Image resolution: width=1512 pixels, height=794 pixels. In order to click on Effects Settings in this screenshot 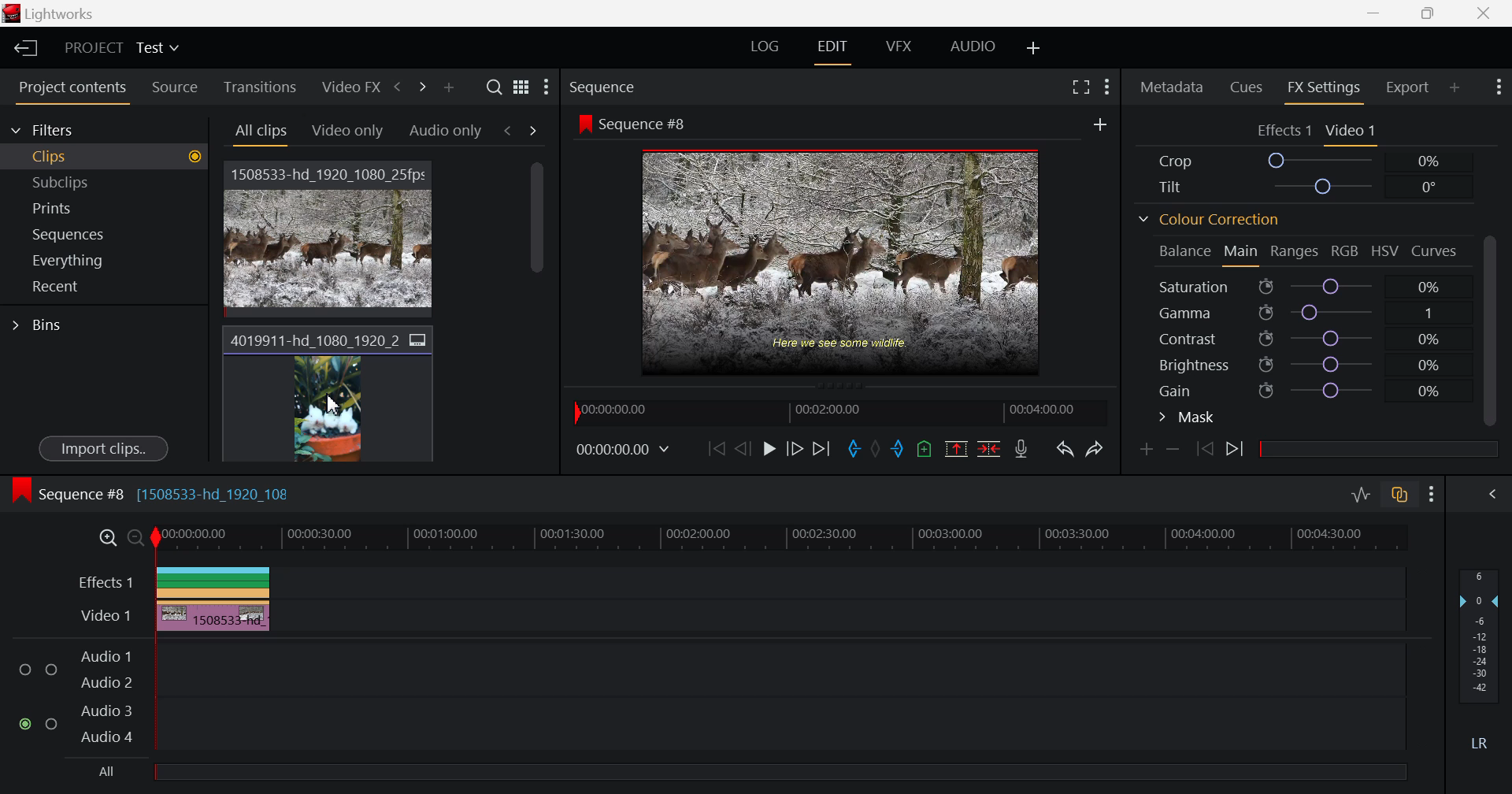, I will do `click(1282, 131)`.